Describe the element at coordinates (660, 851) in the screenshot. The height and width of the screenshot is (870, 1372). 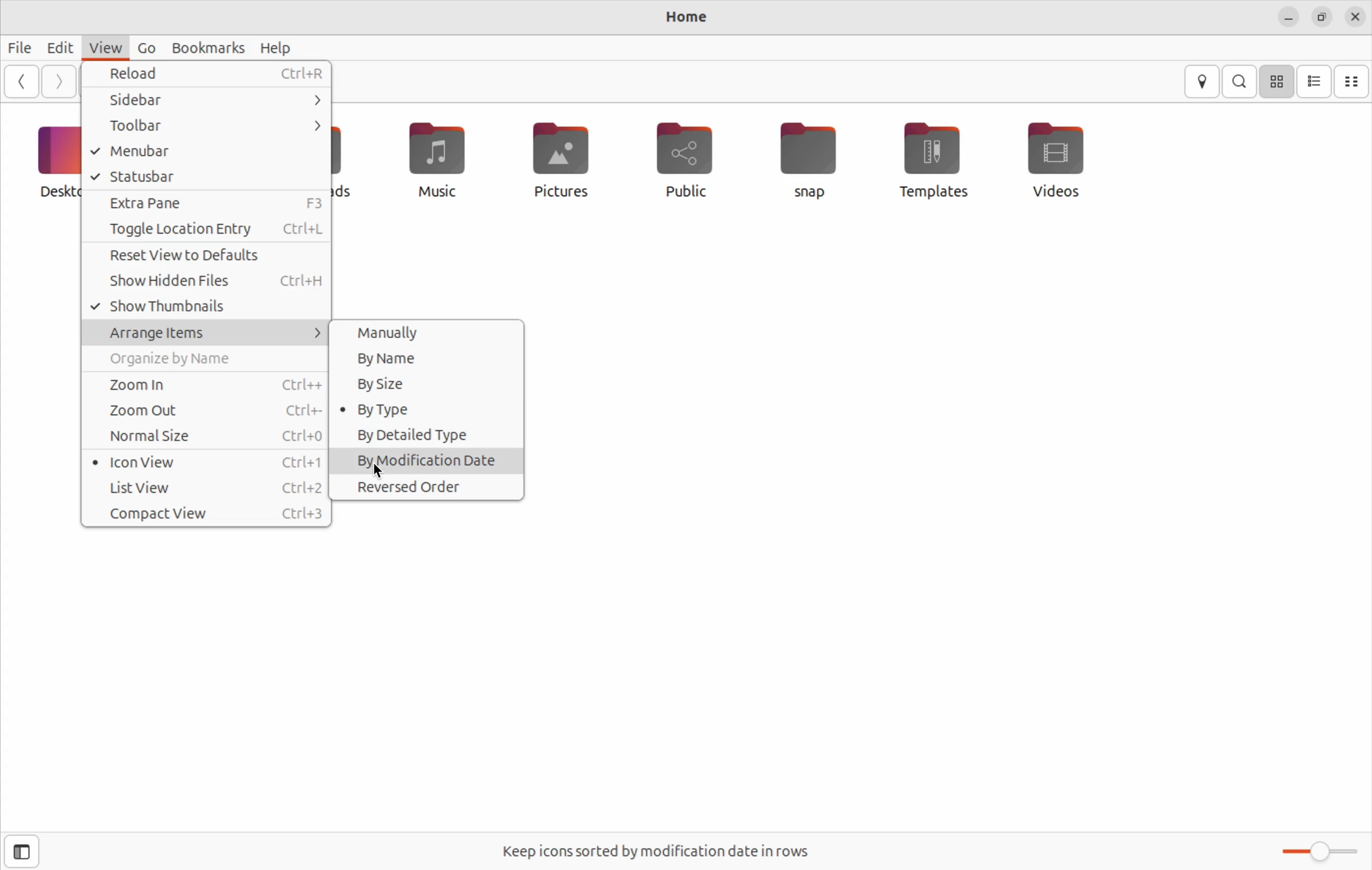
I see `free spaces` at that location.